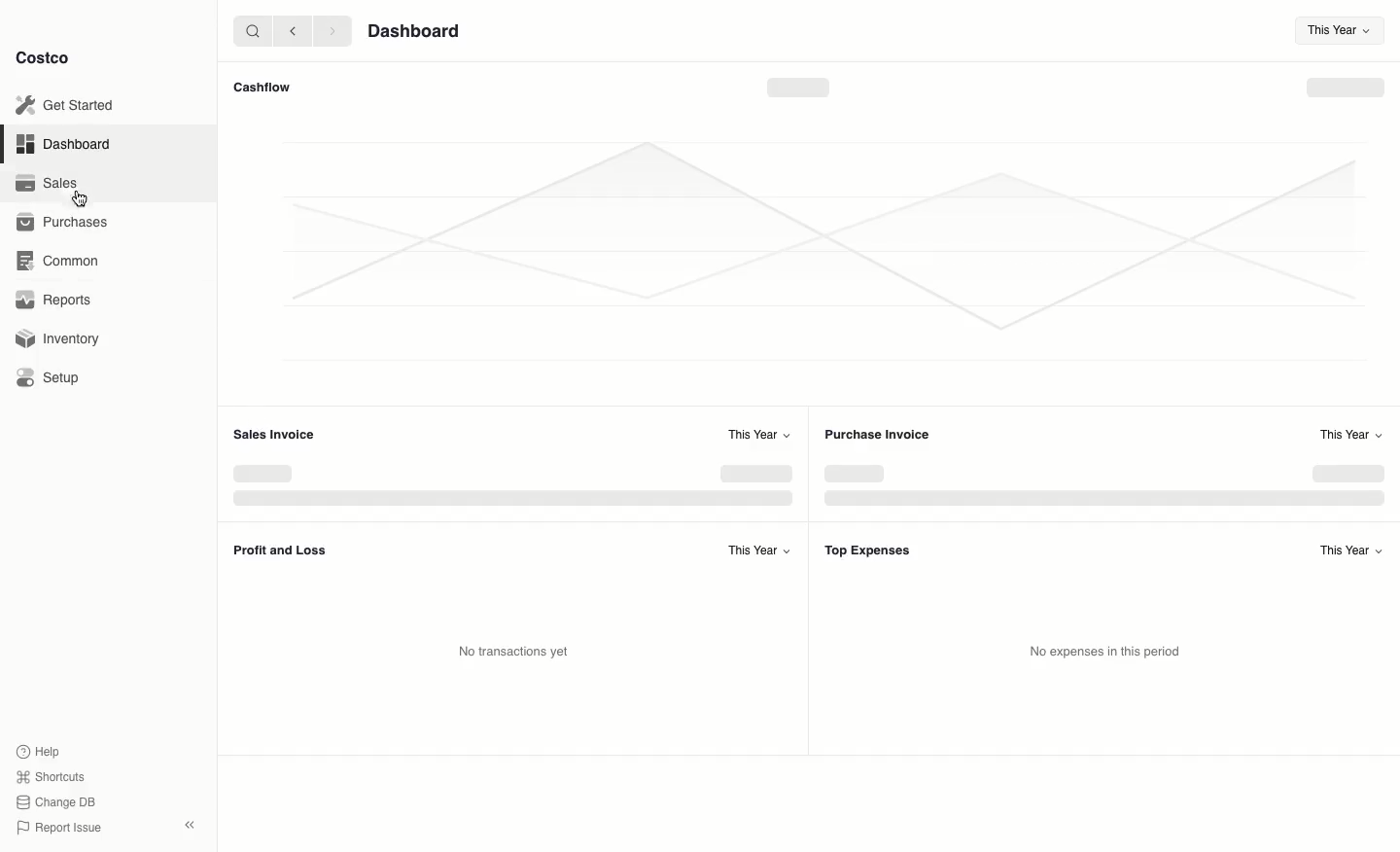 The image size is (1400, 852). I want to click on “Top Expenses, so click(867, 550).